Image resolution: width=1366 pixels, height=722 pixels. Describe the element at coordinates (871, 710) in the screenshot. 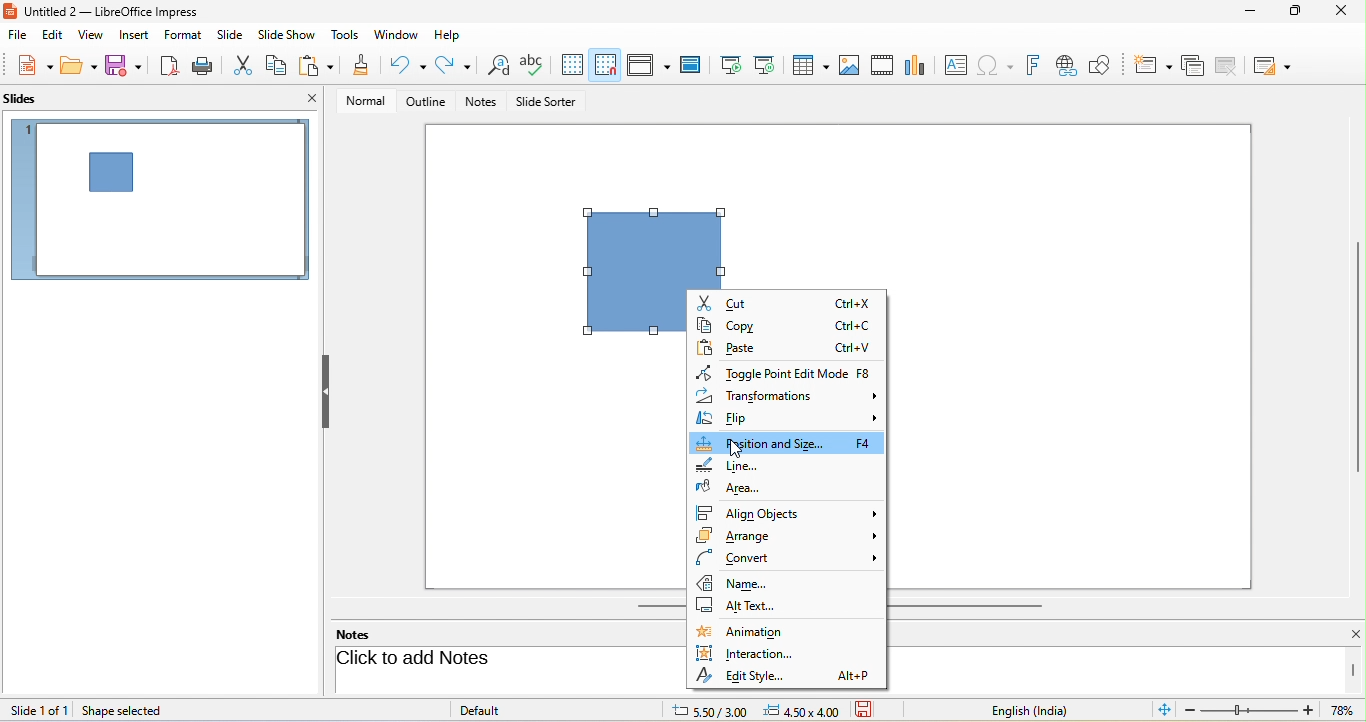

I see `save` at that location.